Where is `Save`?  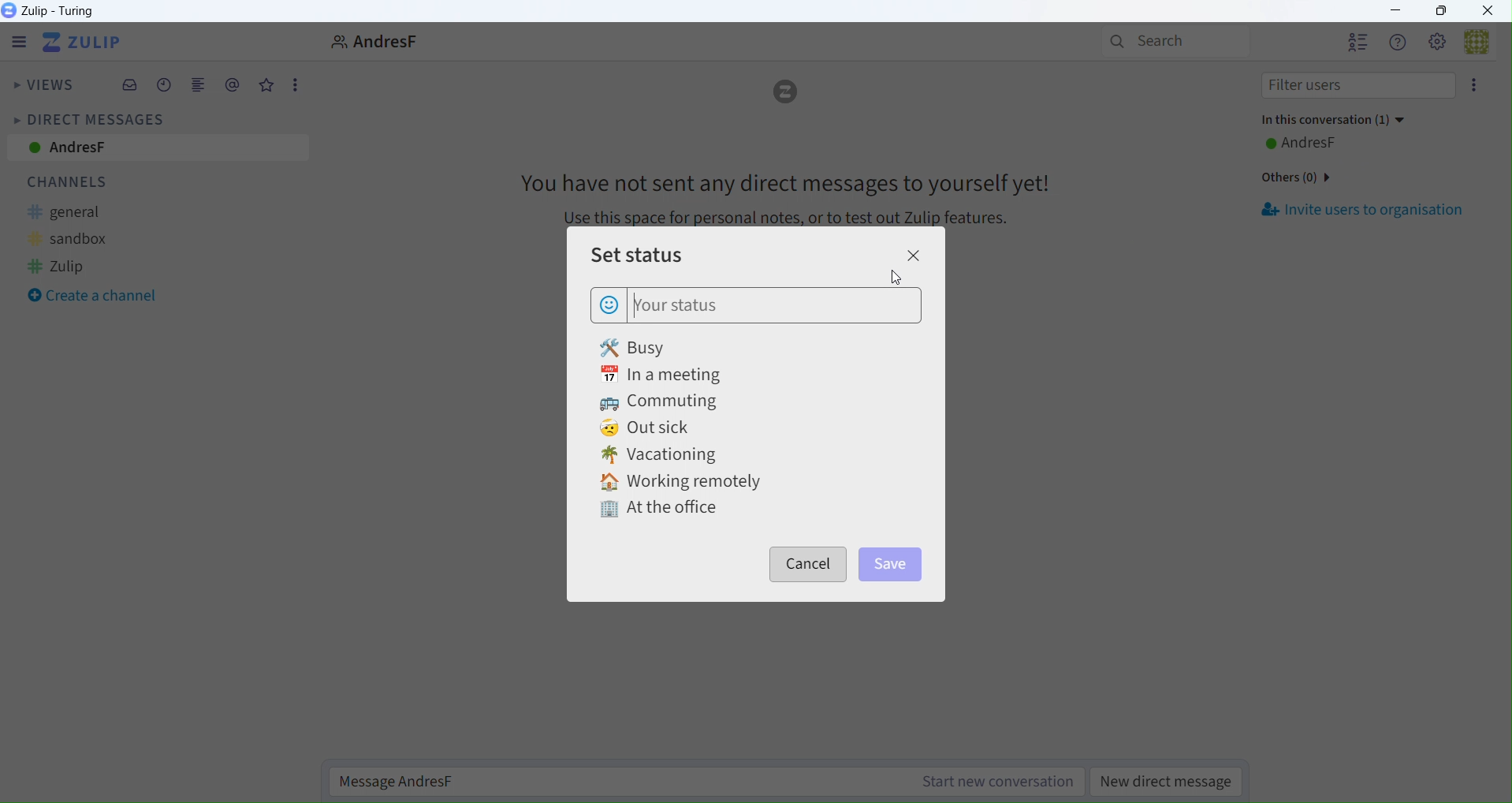
Save is located at coordinates (894, 565).